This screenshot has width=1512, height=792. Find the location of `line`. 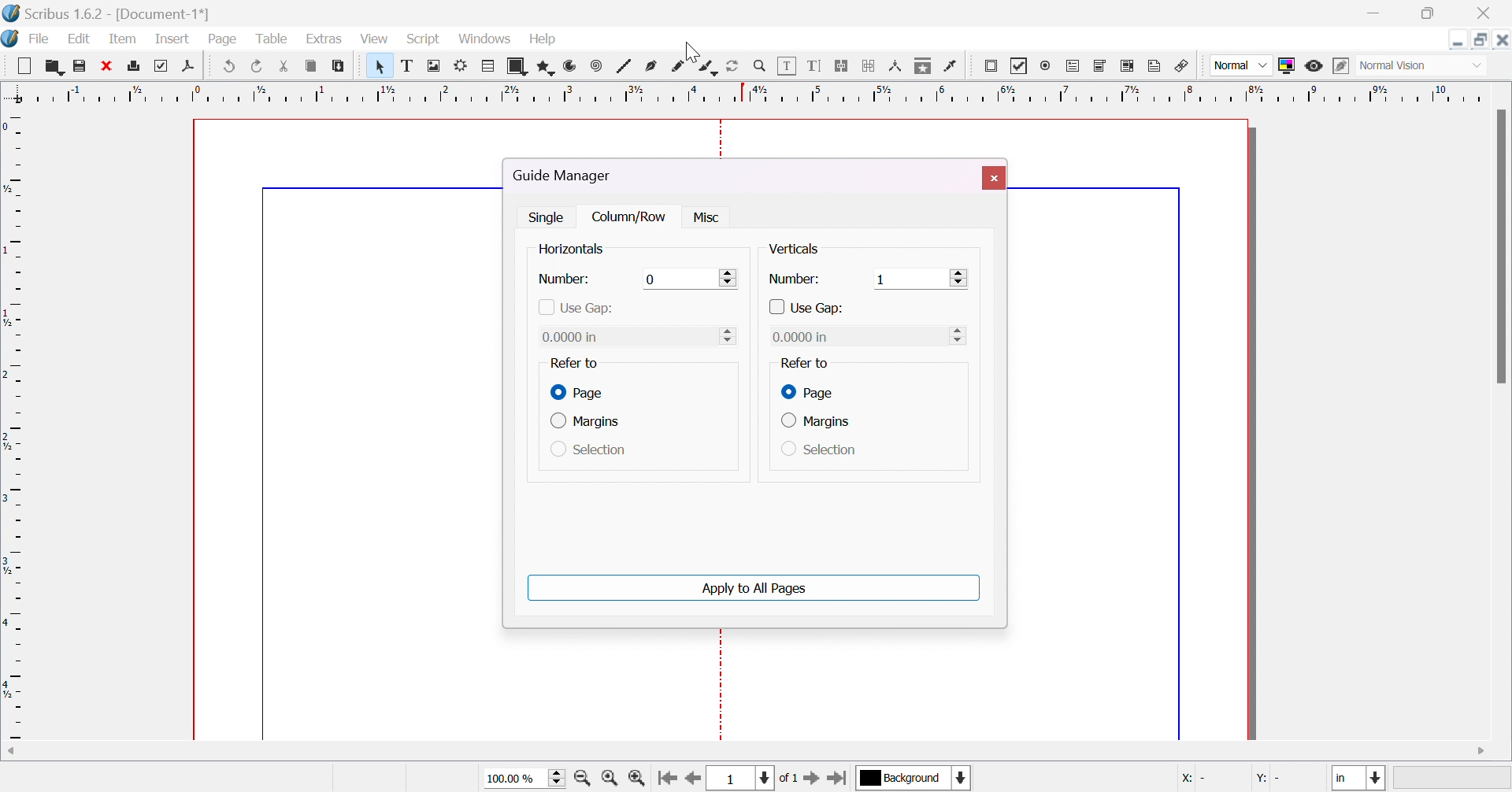

line is located at coordinates (627, 67).